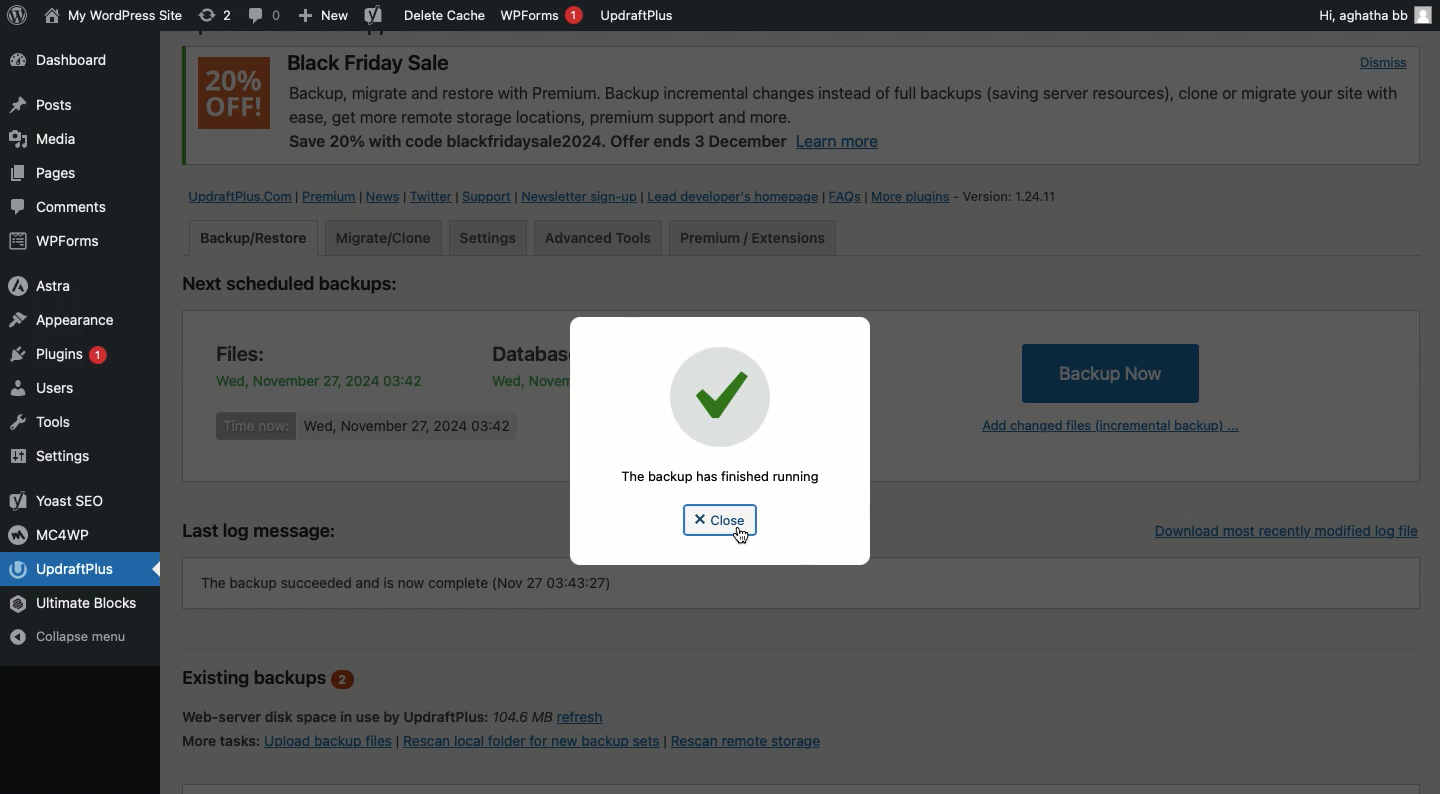 The height and width of the screenshot is (794, 1440). I want to click on Upload backup files, so click(329, 744).